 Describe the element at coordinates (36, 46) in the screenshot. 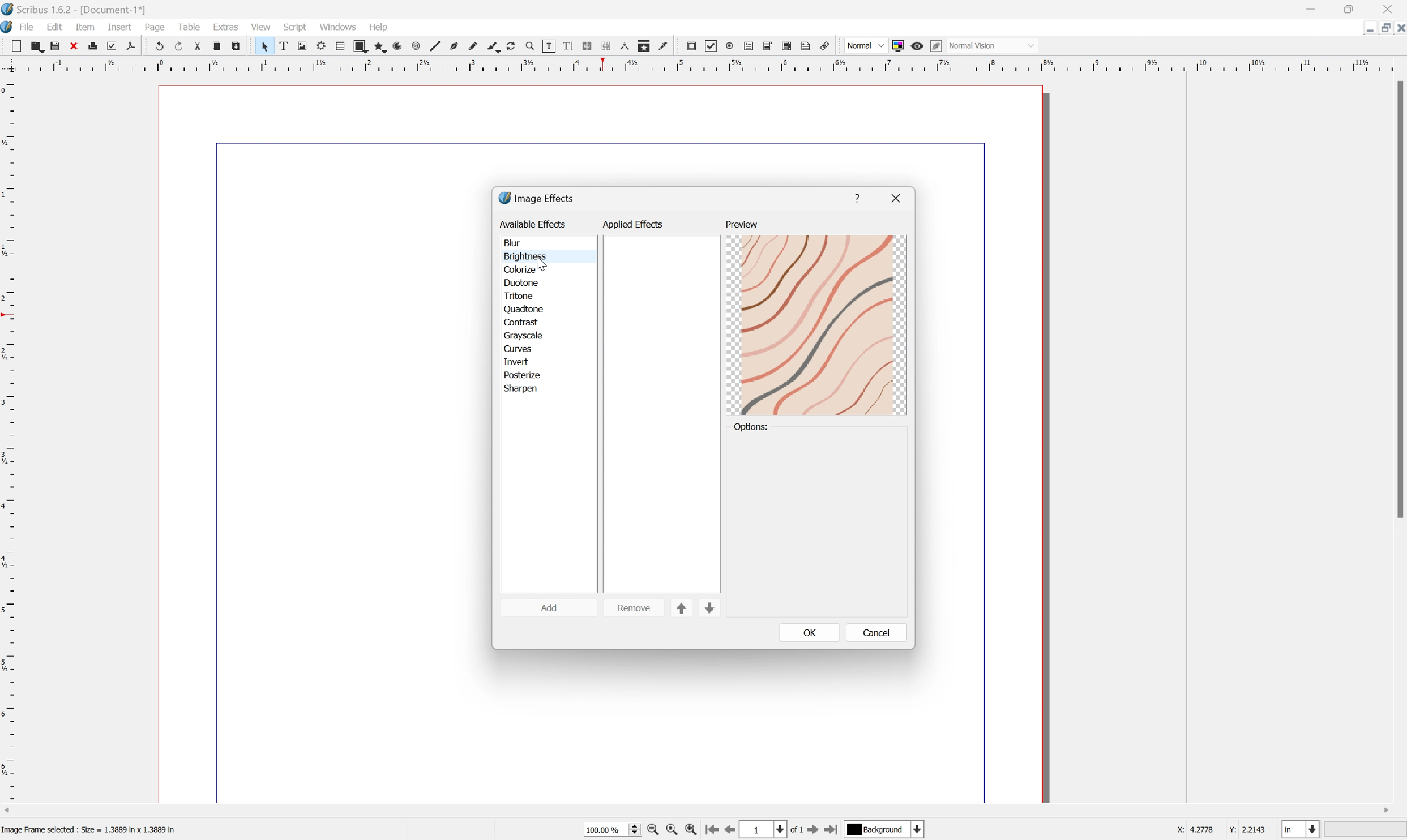

I see `Open` at that location.